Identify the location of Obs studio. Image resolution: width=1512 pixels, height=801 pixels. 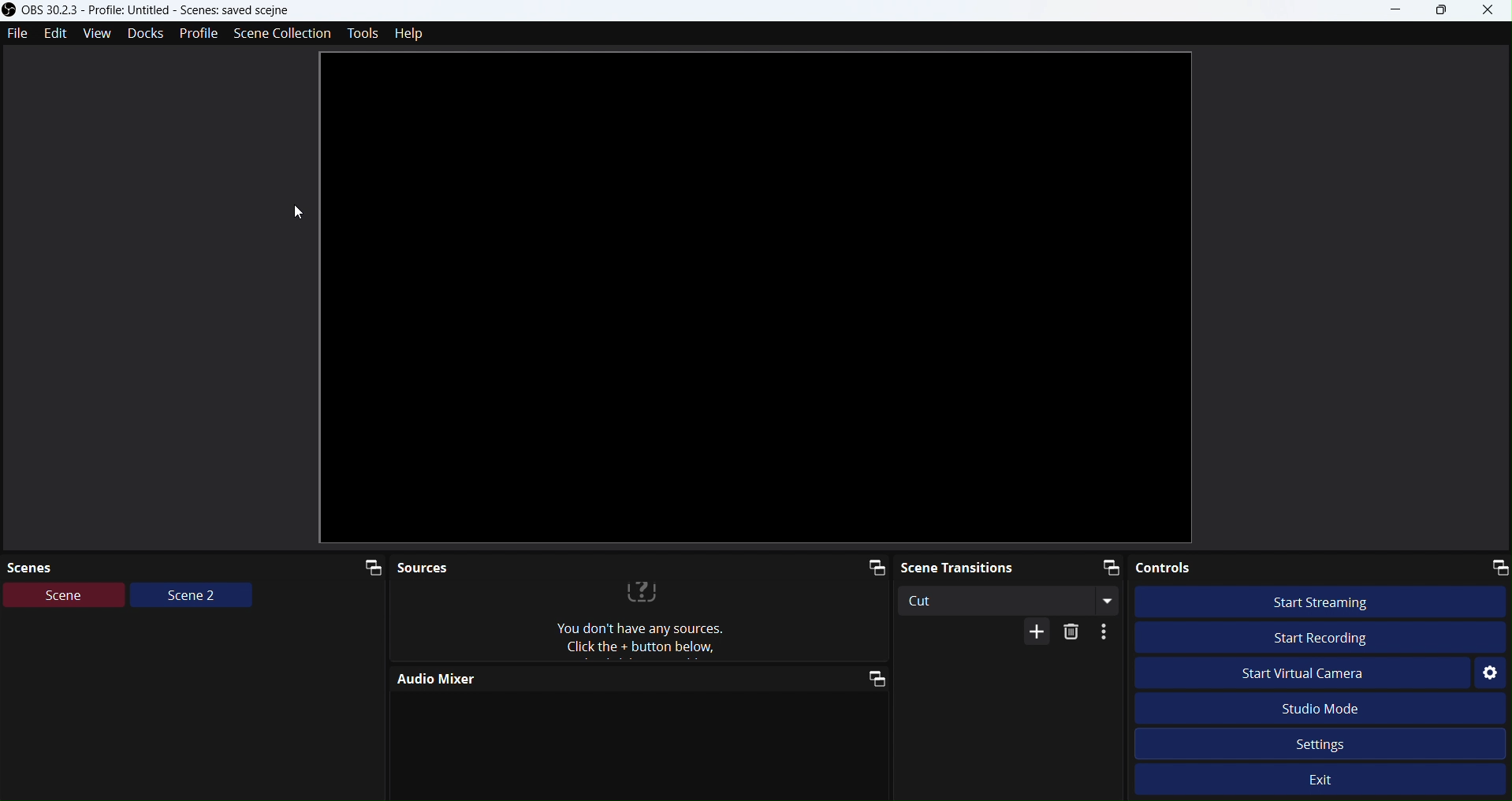
(152, 9).